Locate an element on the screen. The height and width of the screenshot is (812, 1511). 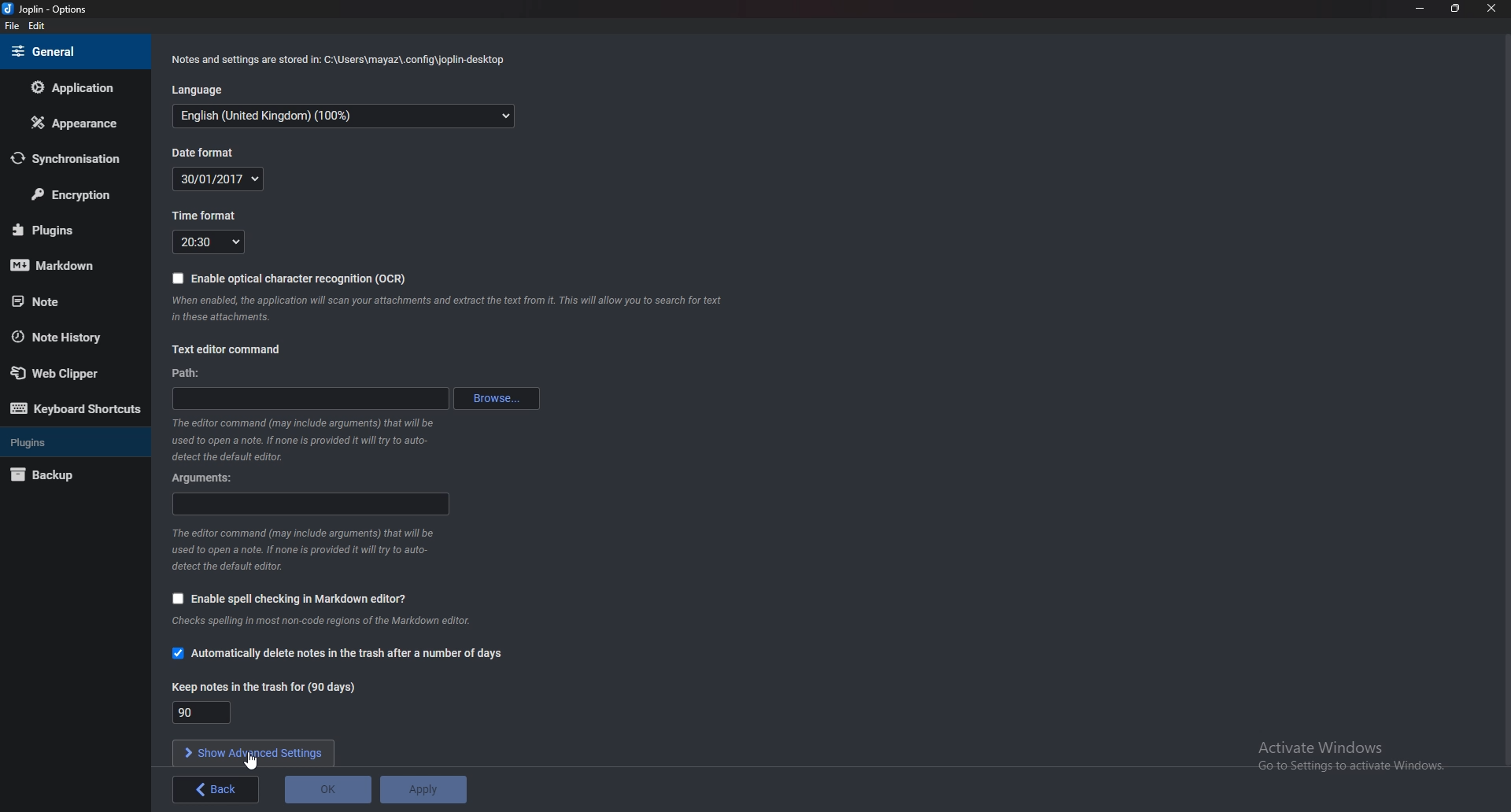
resize is located at coordinates (1454, 8).